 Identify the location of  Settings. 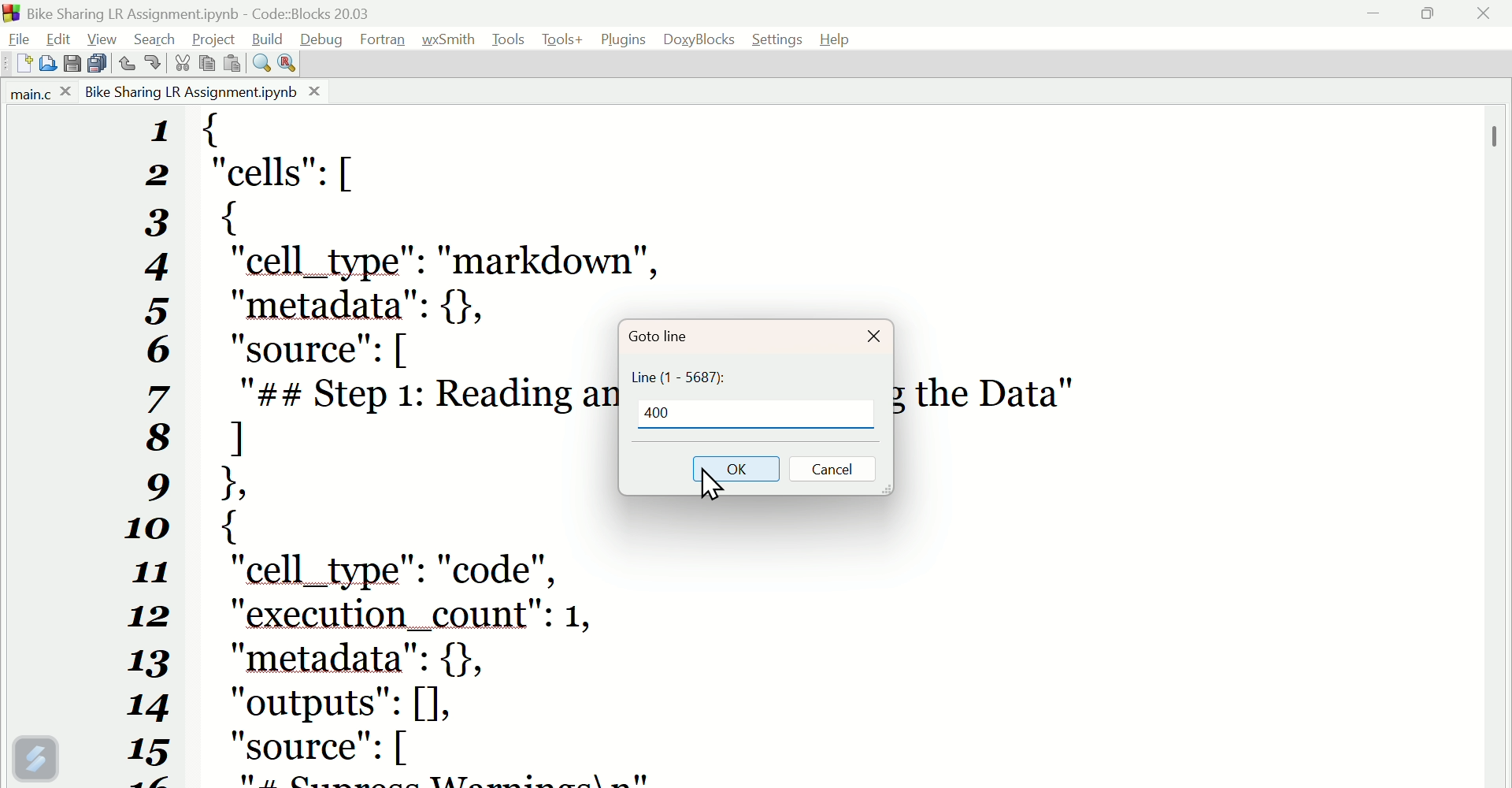
(780, 40).